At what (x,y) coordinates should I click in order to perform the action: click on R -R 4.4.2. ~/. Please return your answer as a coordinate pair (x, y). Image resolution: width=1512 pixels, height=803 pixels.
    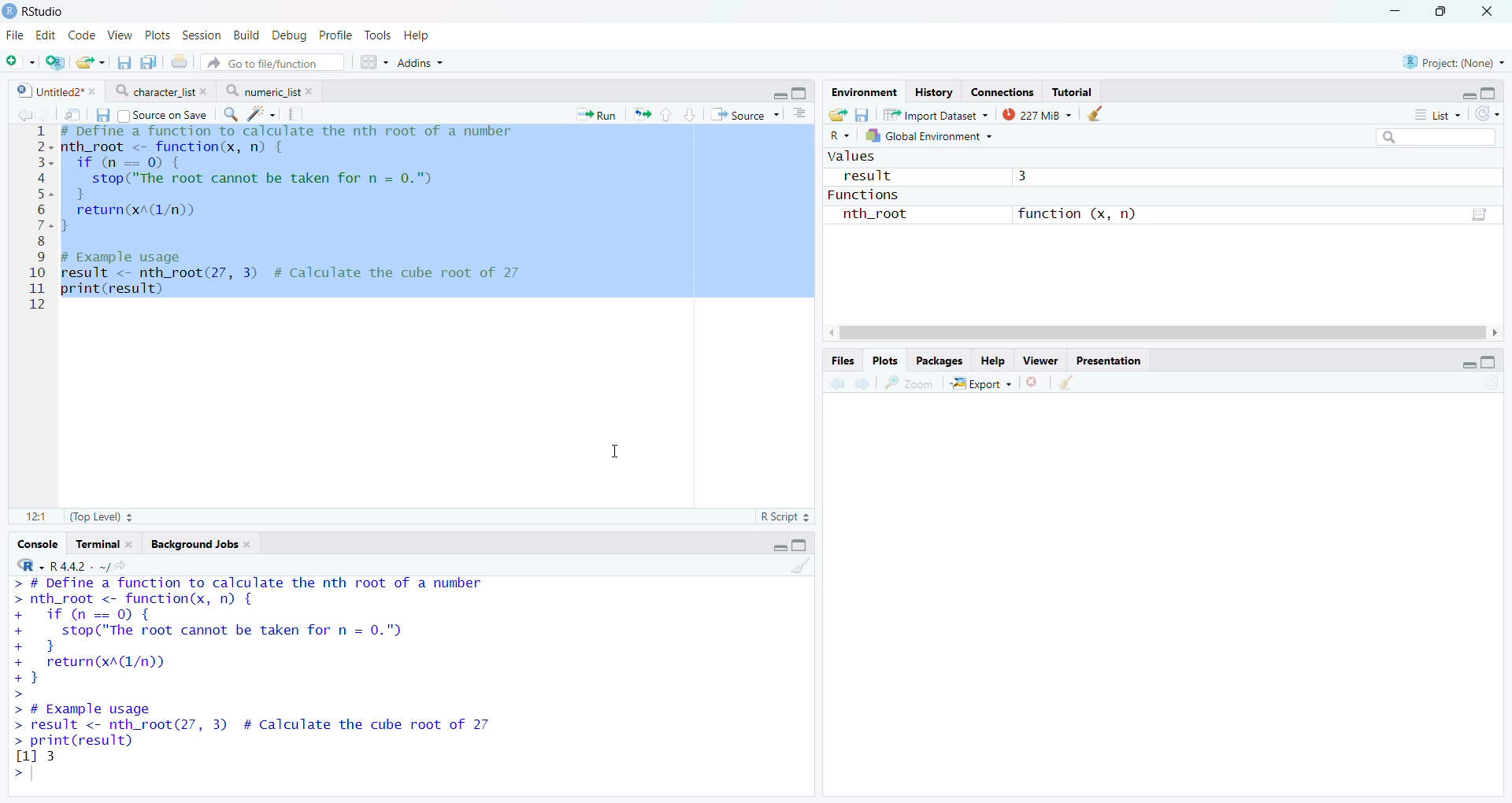
    Looking at the image, I should click on (72, 565).